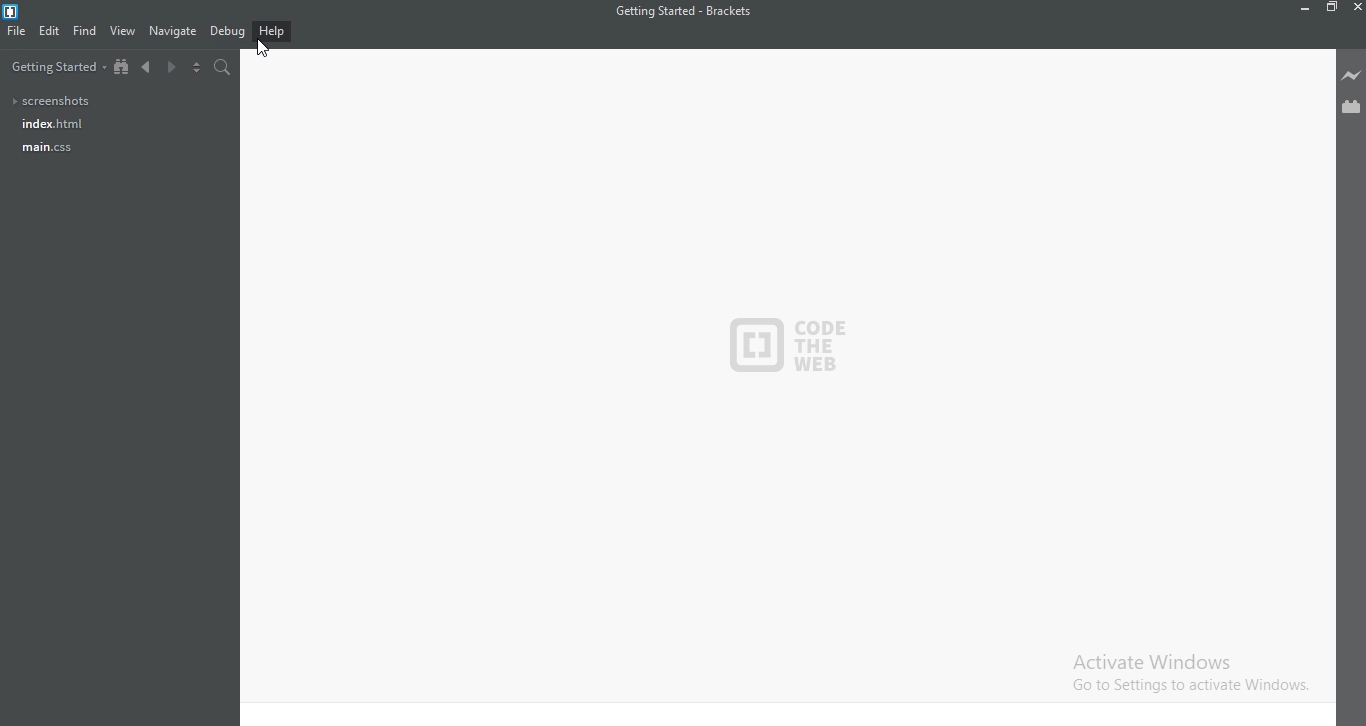  What do you see at coordinates (123, 68) in the screenshot?
I see `Show file tree` at bounding box center [123, 68].